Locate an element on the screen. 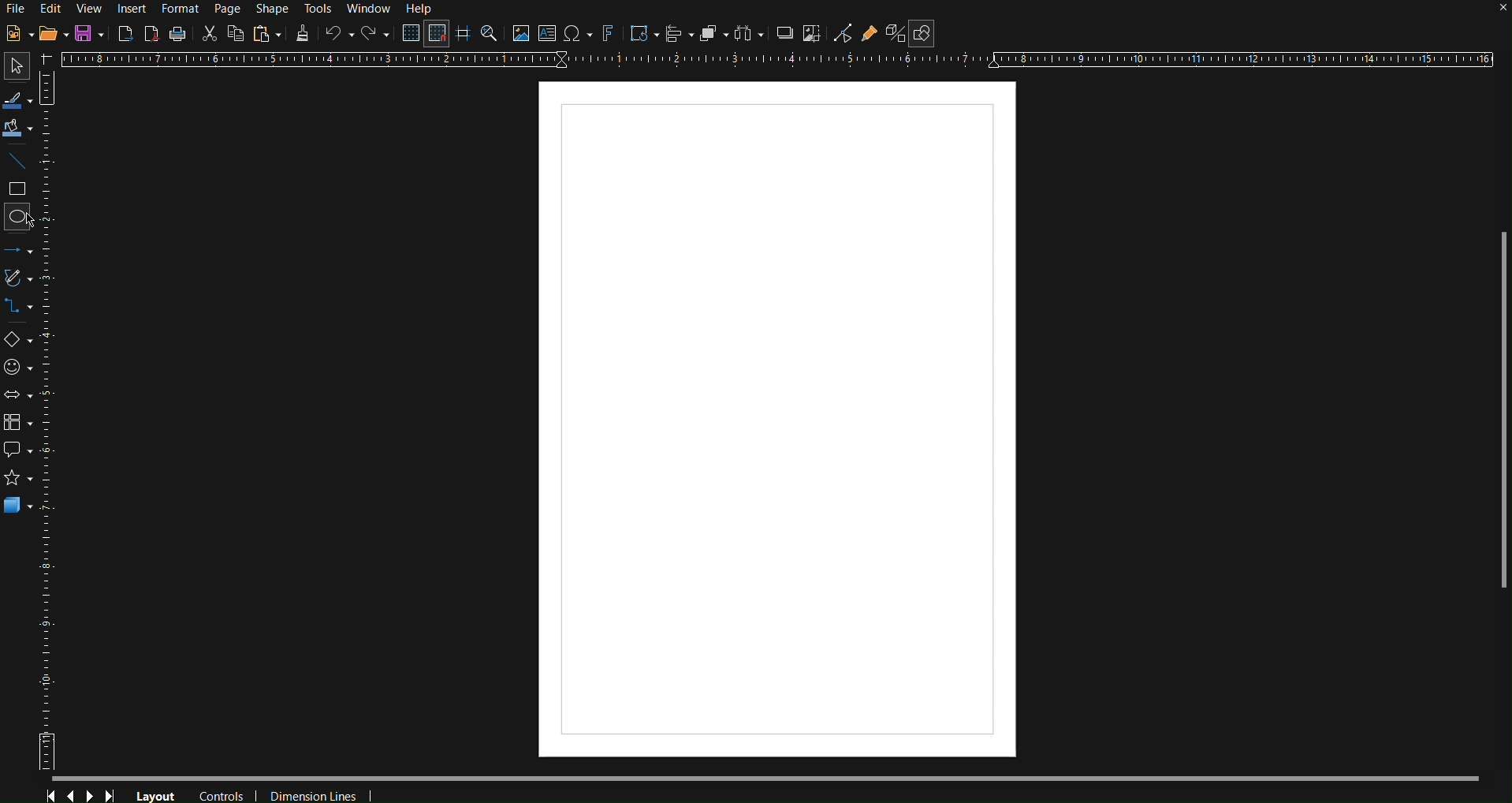  Block Arrows is located at coordinates (20, 394).